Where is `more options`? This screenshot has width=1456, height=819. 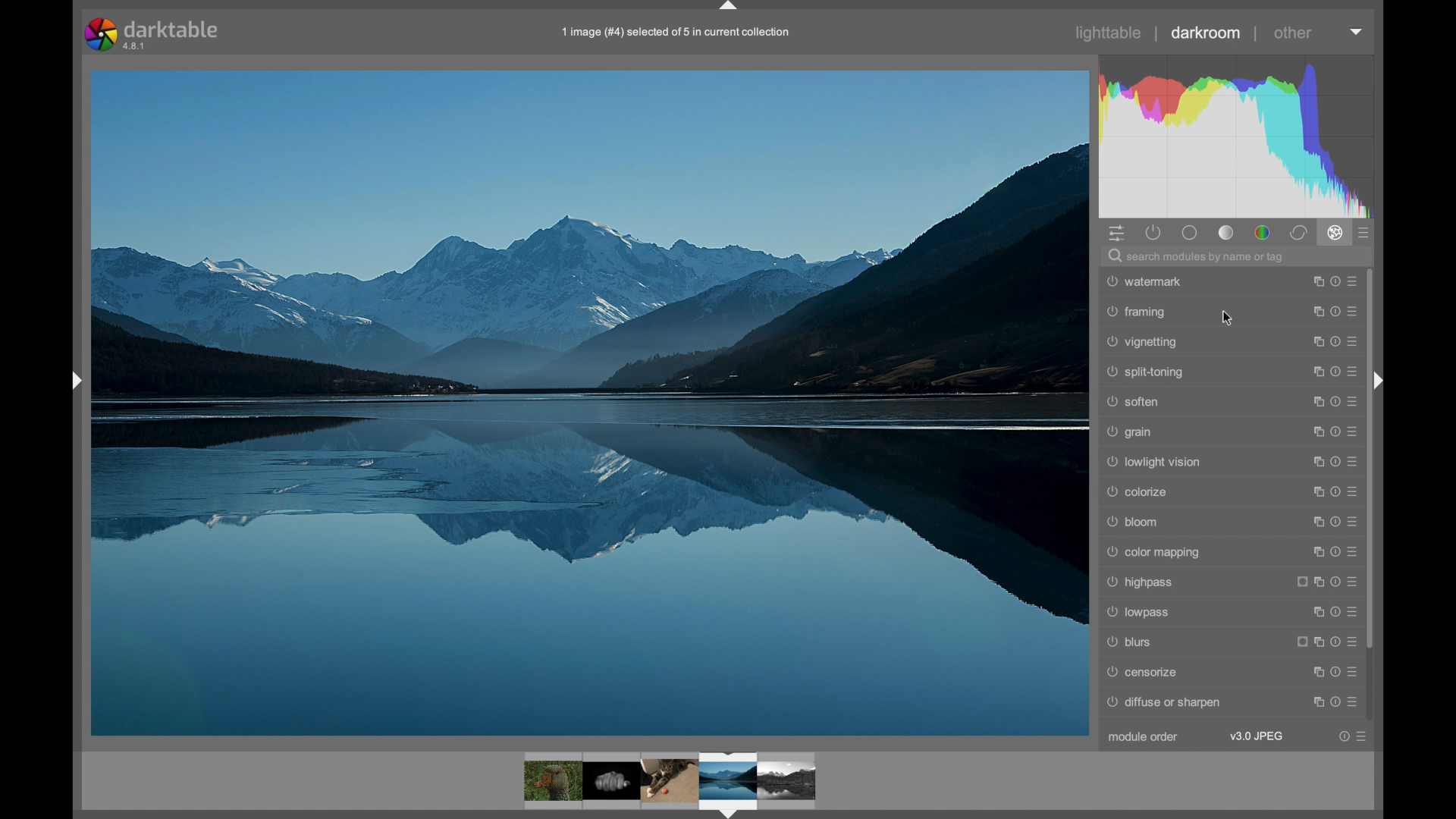
more options is located at coordinates (1337, 312).